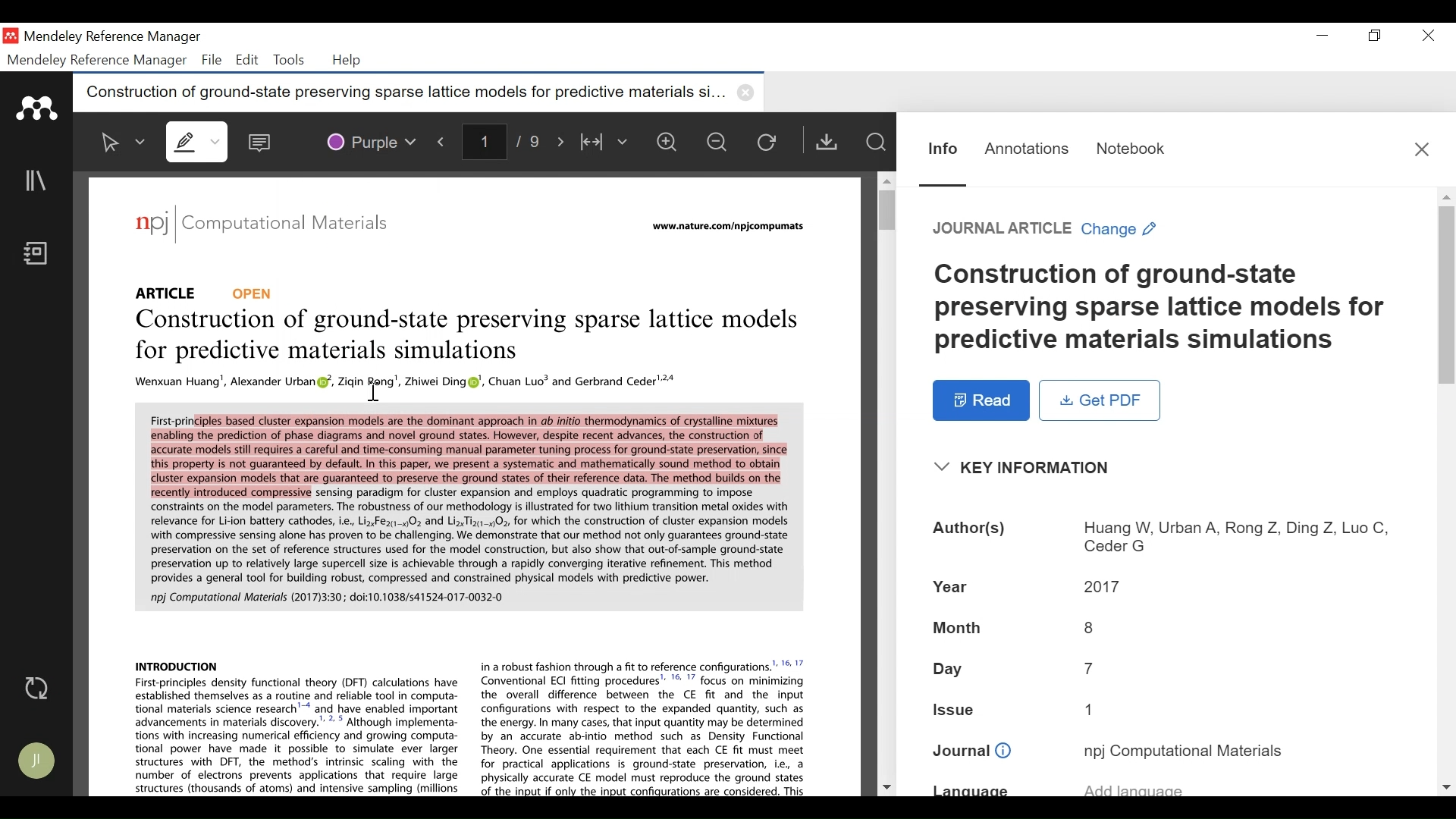 The width and height of the screenshot is (1456, 819). What do you see at coordinates (97, 60) in the screenshot?
I see `Mendeley Reference Manager` at bounding box center [97, 60].